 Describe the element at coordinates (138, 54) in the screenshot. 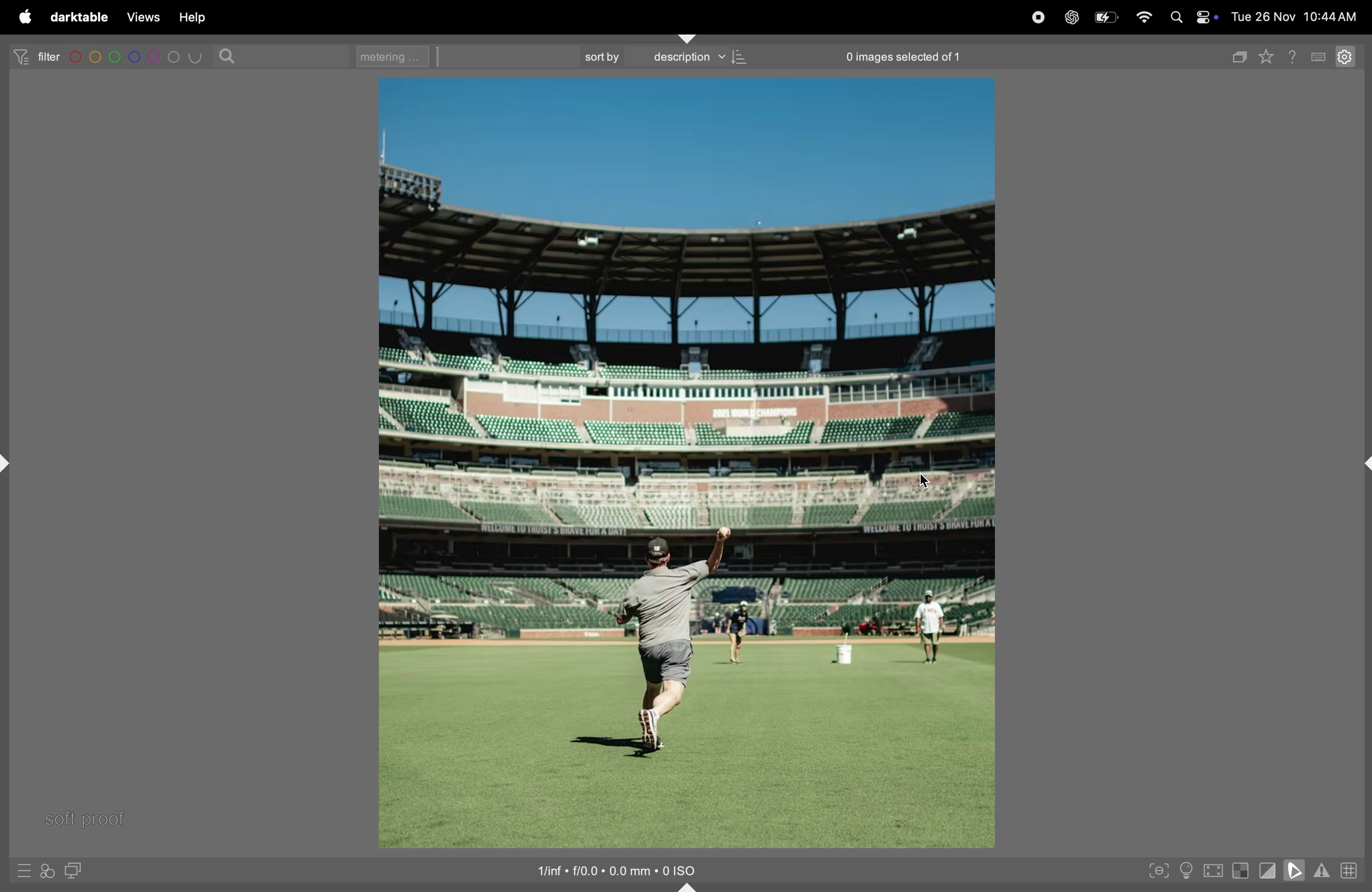

I see `color` at that location.